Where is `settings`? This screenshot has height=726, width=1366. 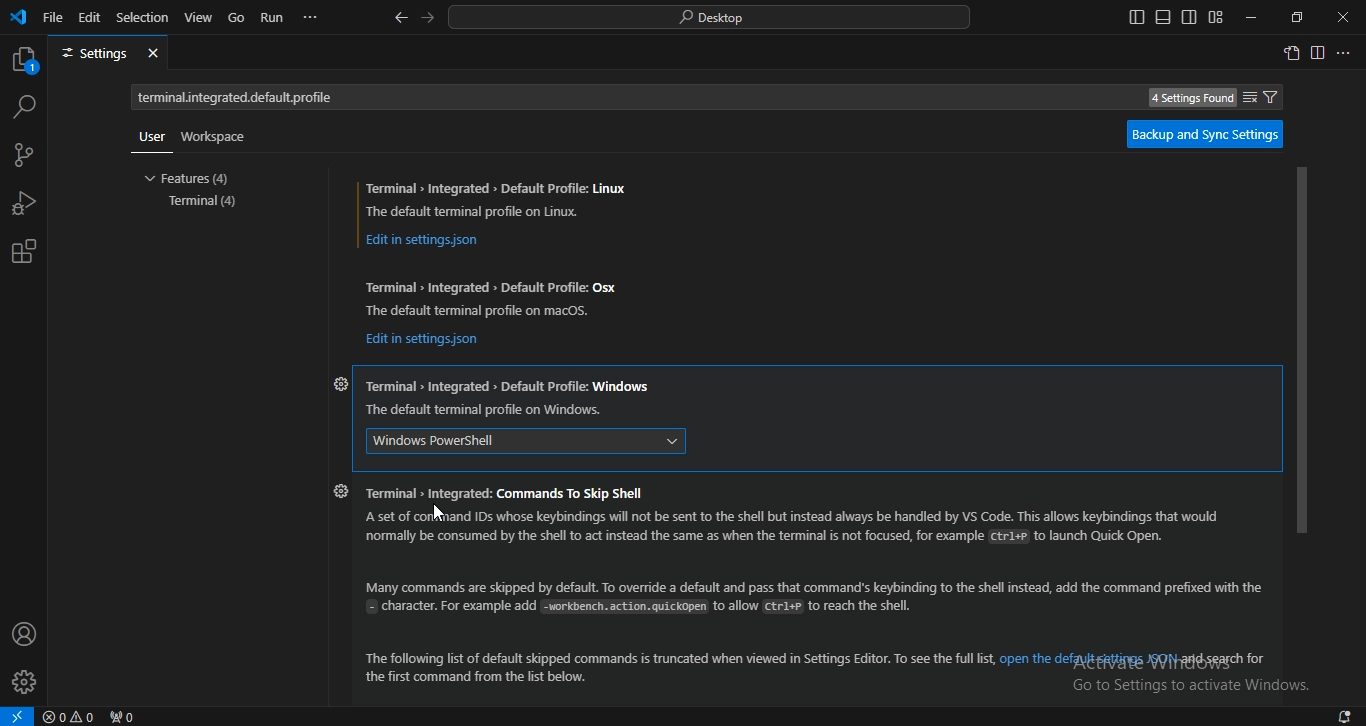
settings is located at coordinates (341, 385).